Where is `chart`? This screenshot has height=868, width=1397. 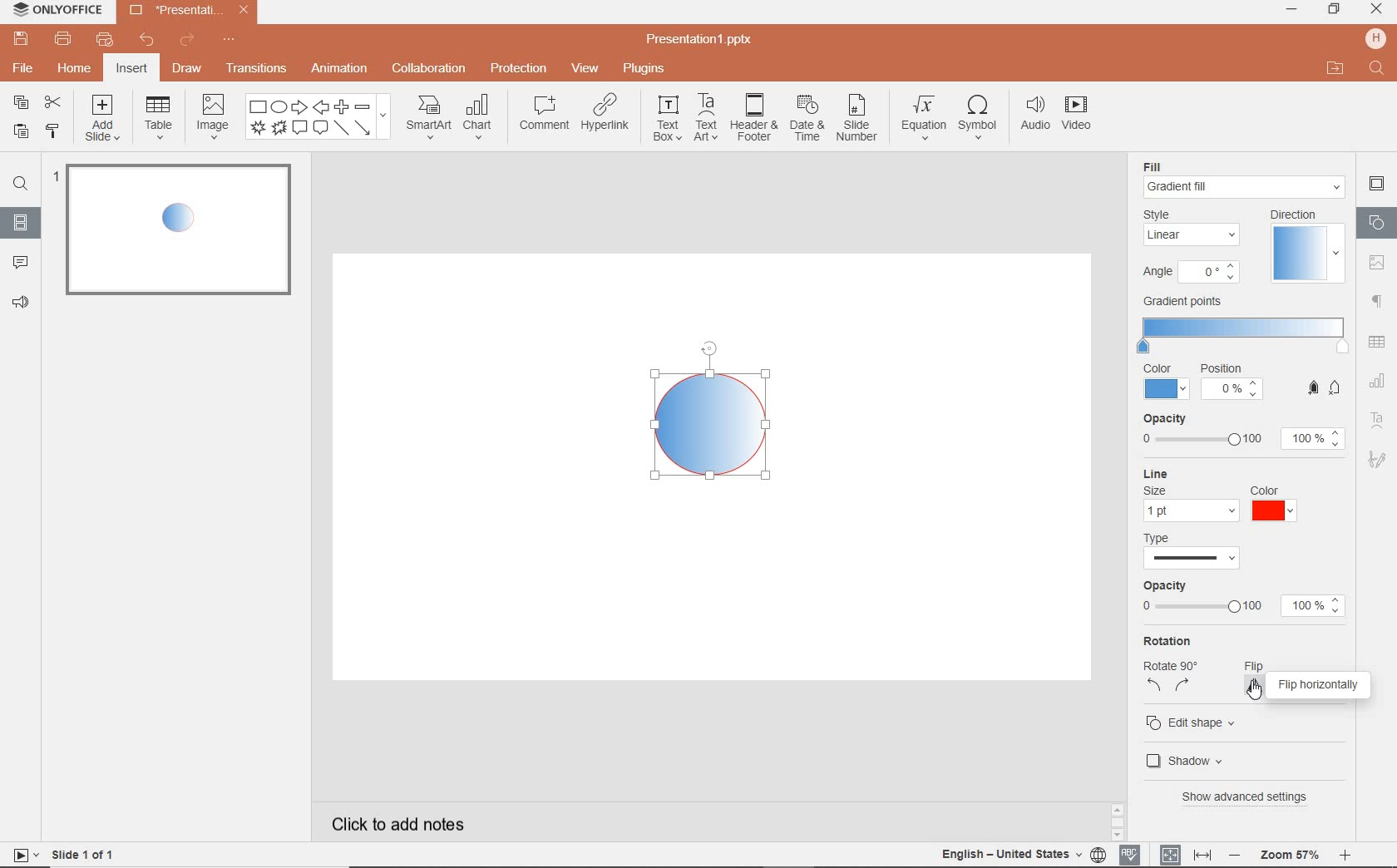 chart is located at coordinates (1381, 384).